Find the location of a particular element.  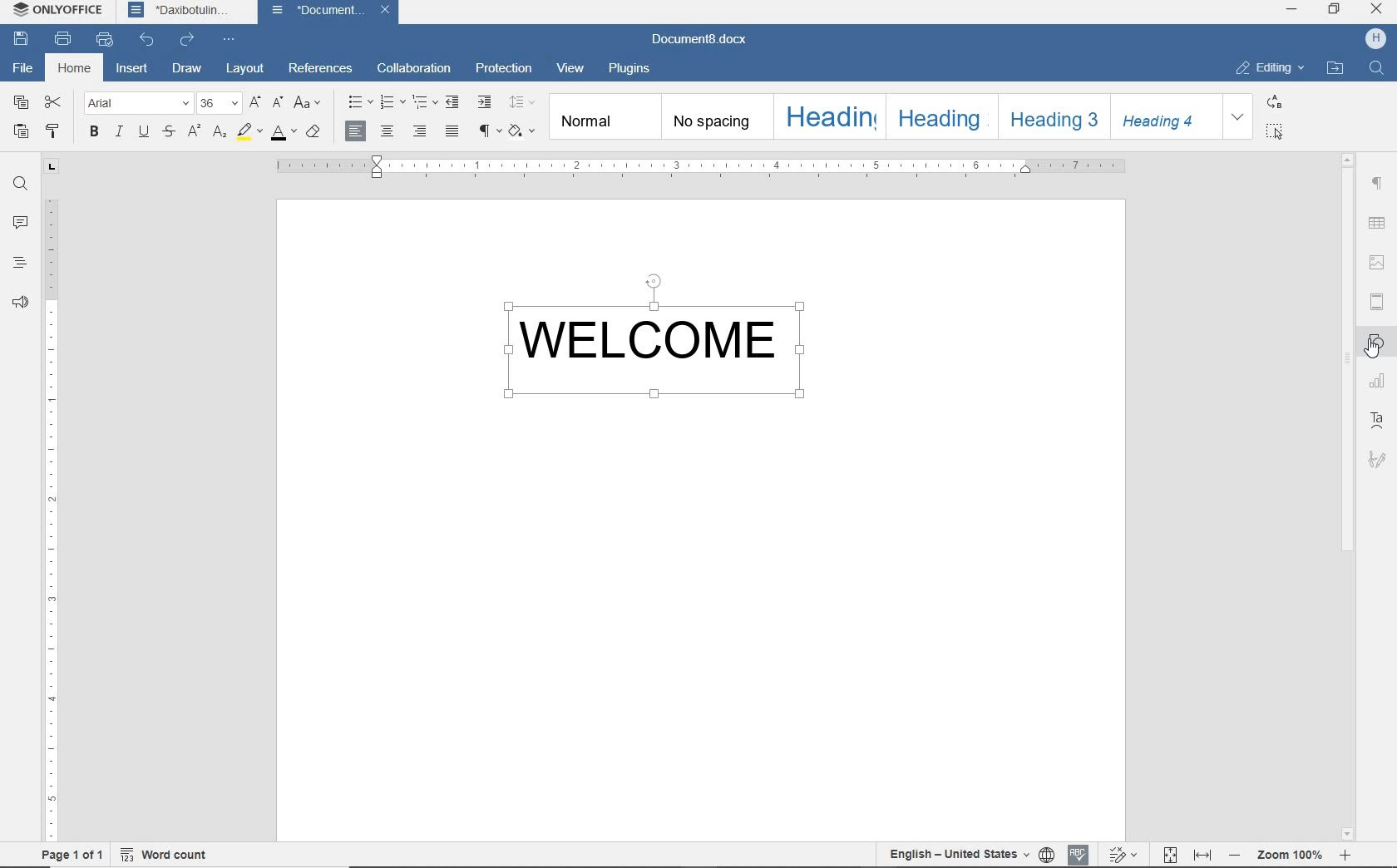

TEXT ART is located at coordinates (1379, 421).